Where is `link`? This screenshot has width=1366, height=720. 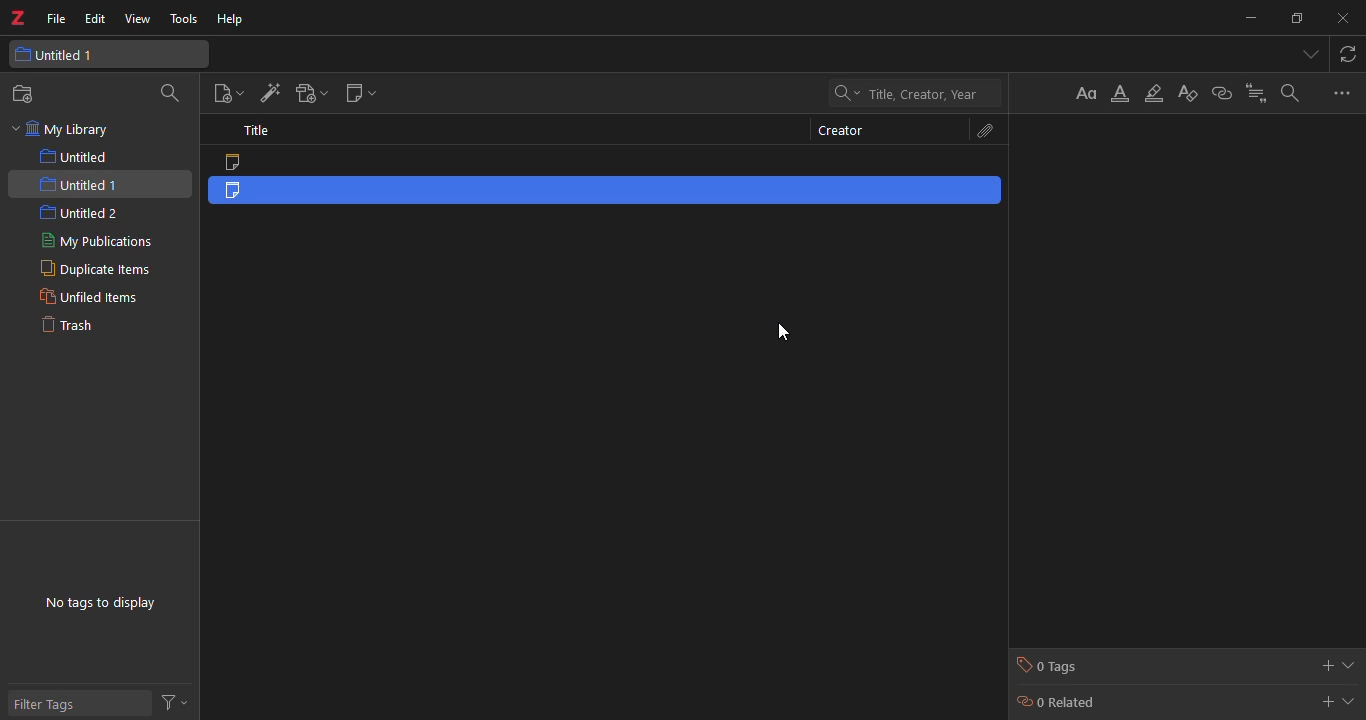 link is located at coordinates (1217, 93).